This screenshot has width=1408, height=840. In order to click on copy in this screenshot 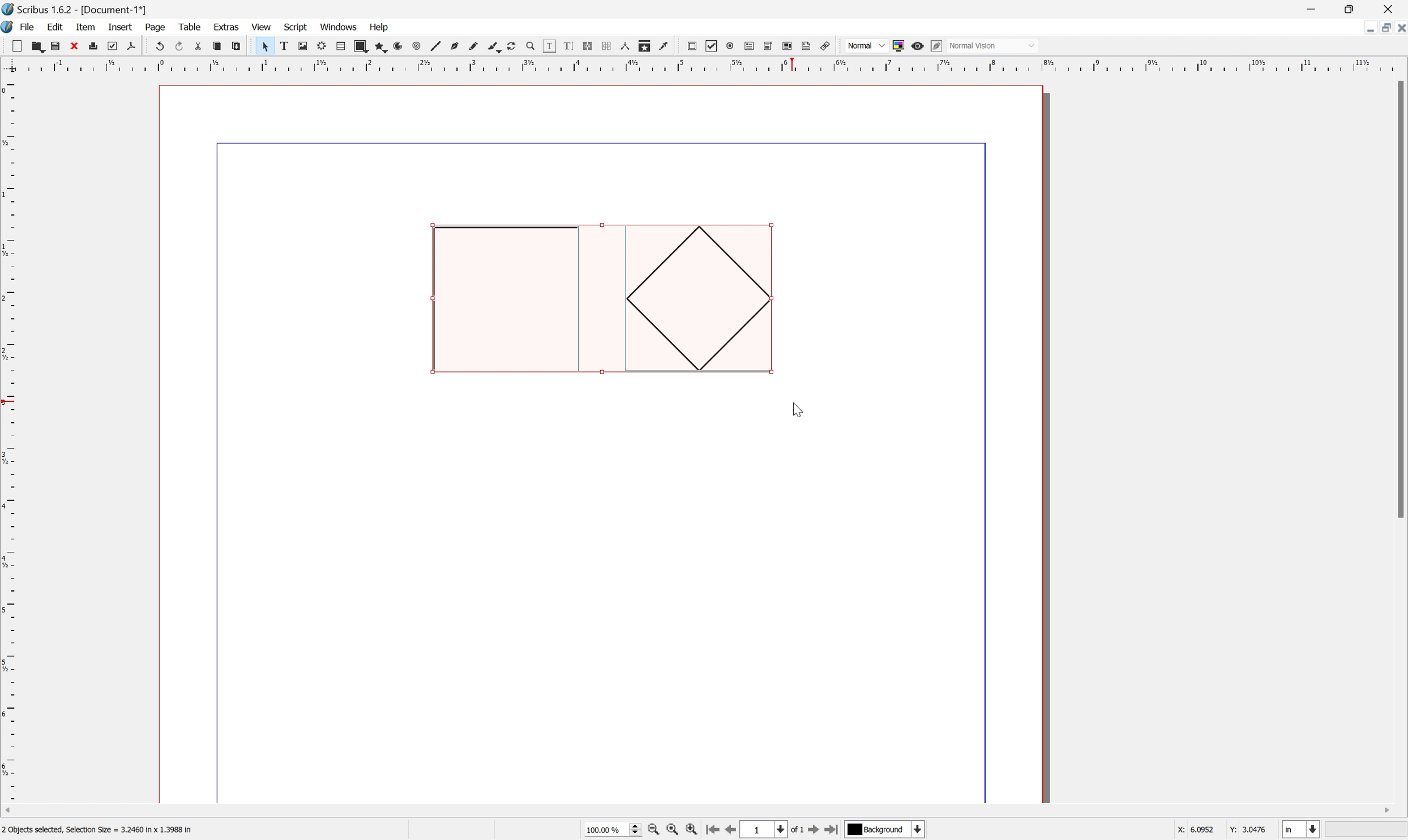, I will do `click(216, 45)`.